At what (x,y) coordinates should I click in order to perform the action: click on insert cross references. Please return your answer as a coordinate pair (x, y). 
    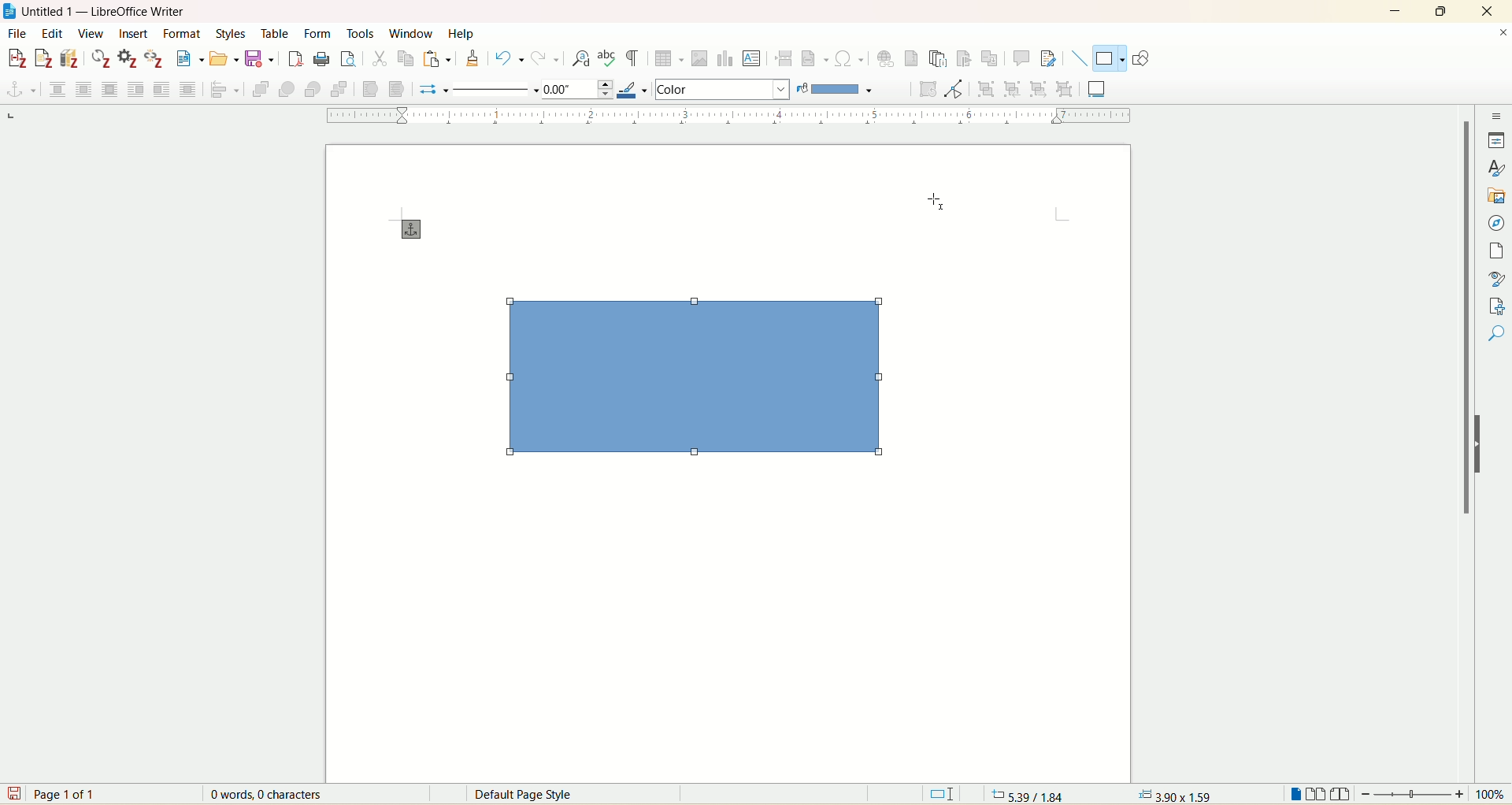
    Looking at the image, I should click on (990, 57).